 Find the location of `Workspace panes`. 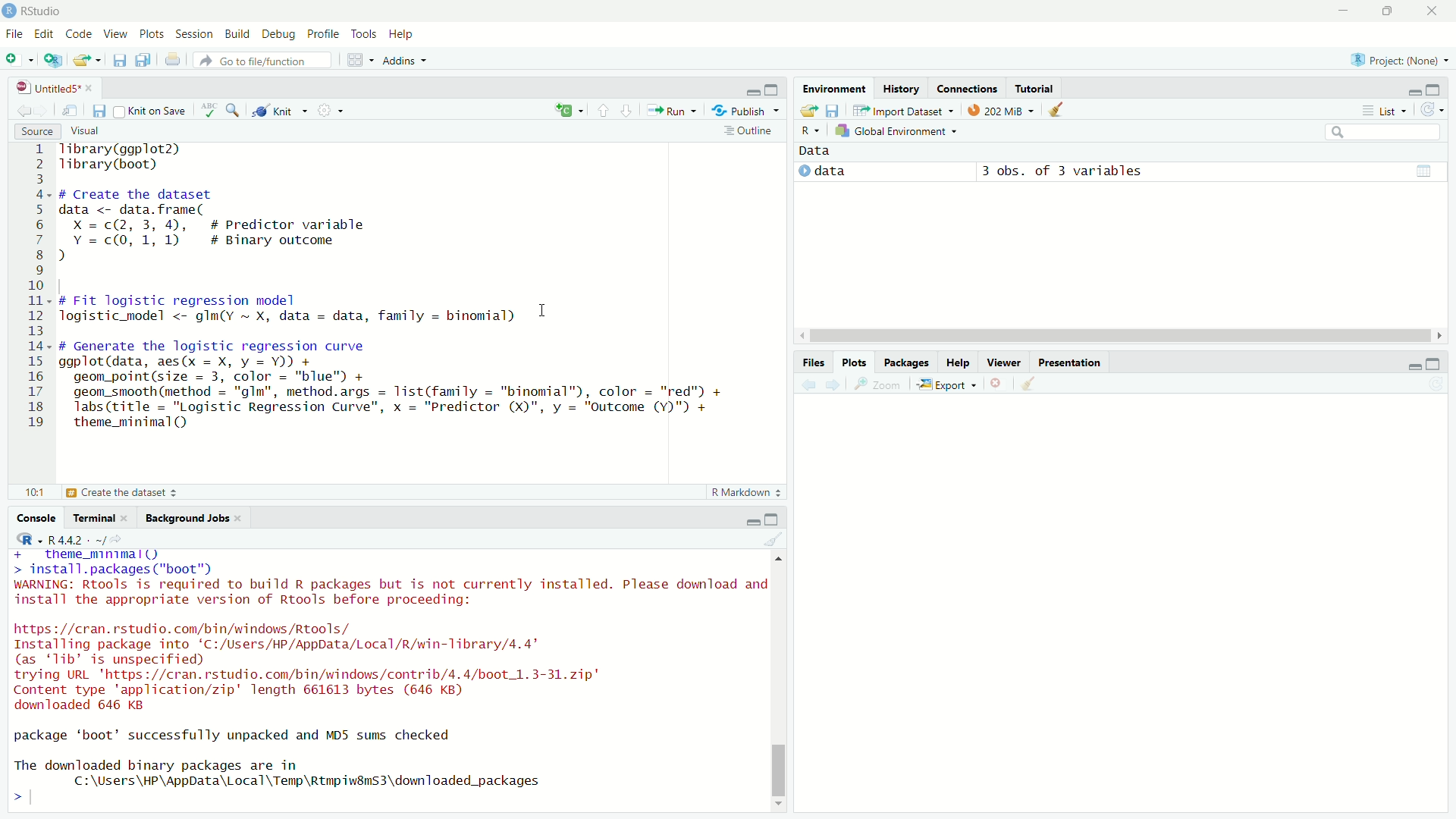

Workspace panes is located at coordinates (359, 58).